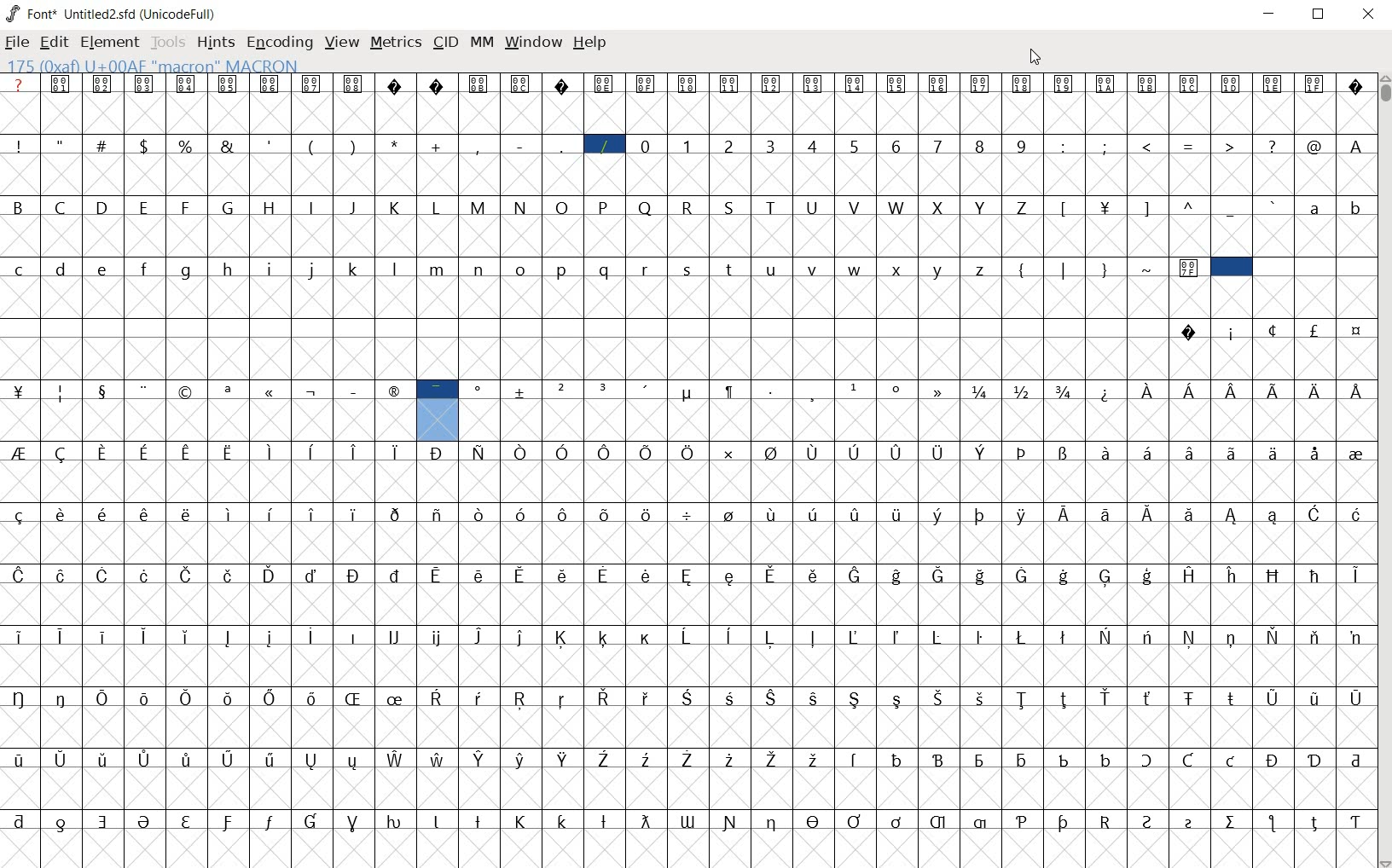 Image resolution: width=1392 pixels, height=868 pixels. I want to click on Latin extended characters, so click(1018, 718).